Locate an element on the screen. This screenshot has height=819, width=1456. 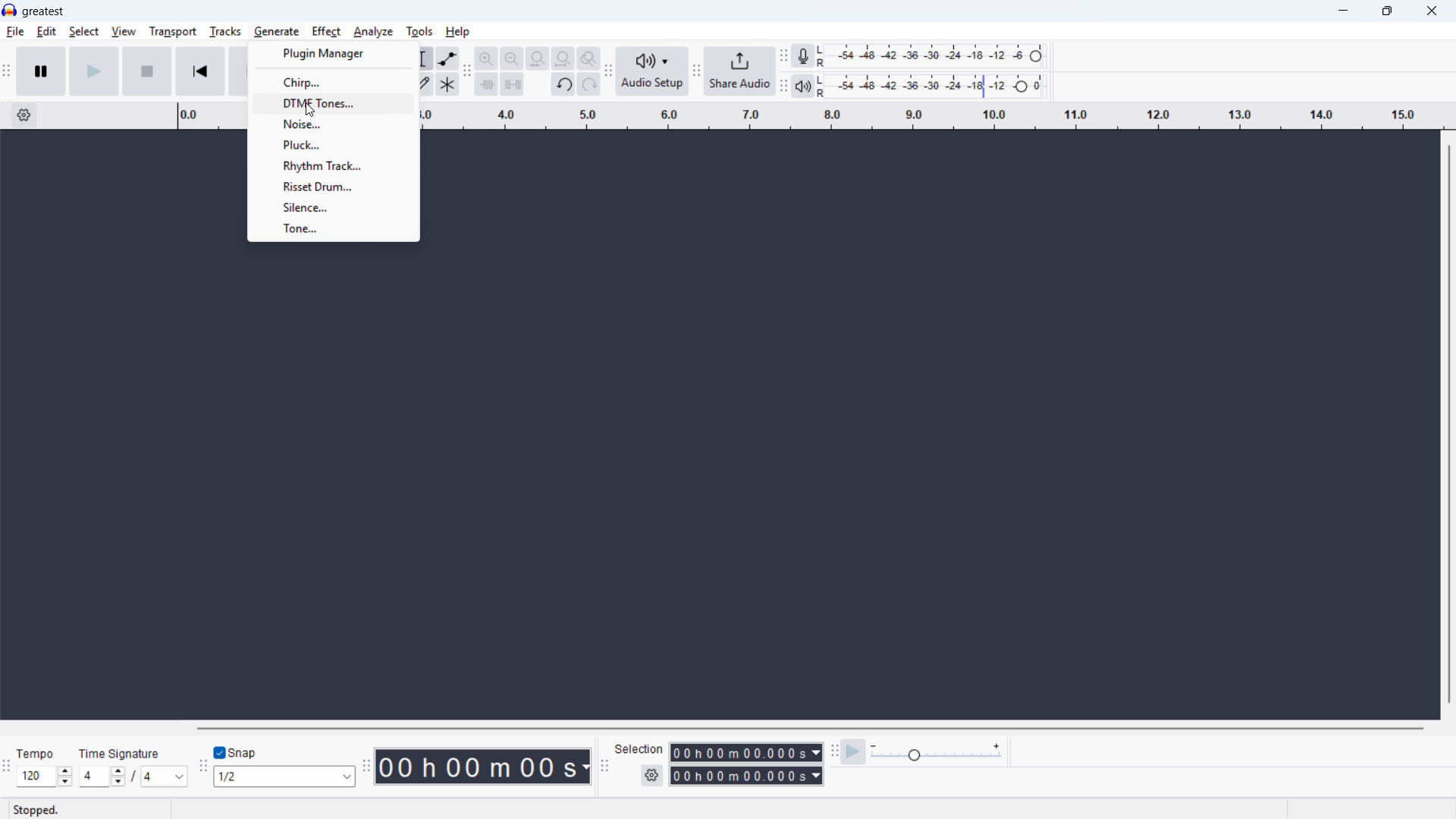
edit is located at coordinates (47, 32).